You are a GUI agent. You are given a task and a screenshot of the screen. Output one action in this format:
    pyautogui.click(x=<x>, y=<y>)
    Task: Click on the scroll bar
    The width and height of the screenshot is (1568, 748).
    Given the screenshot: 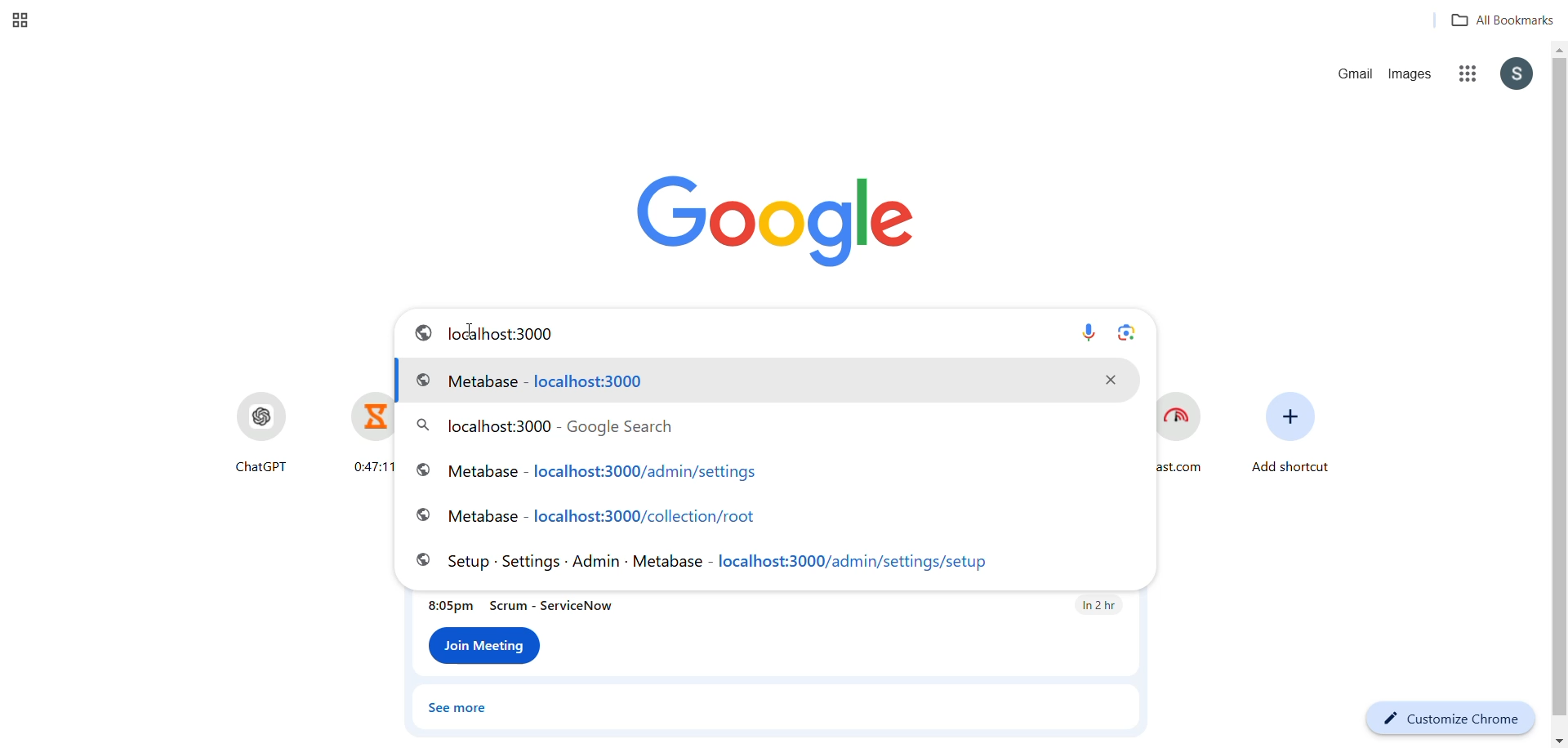 What is the action you would take?
    pyautogui.click(x=1557, y=395)
    